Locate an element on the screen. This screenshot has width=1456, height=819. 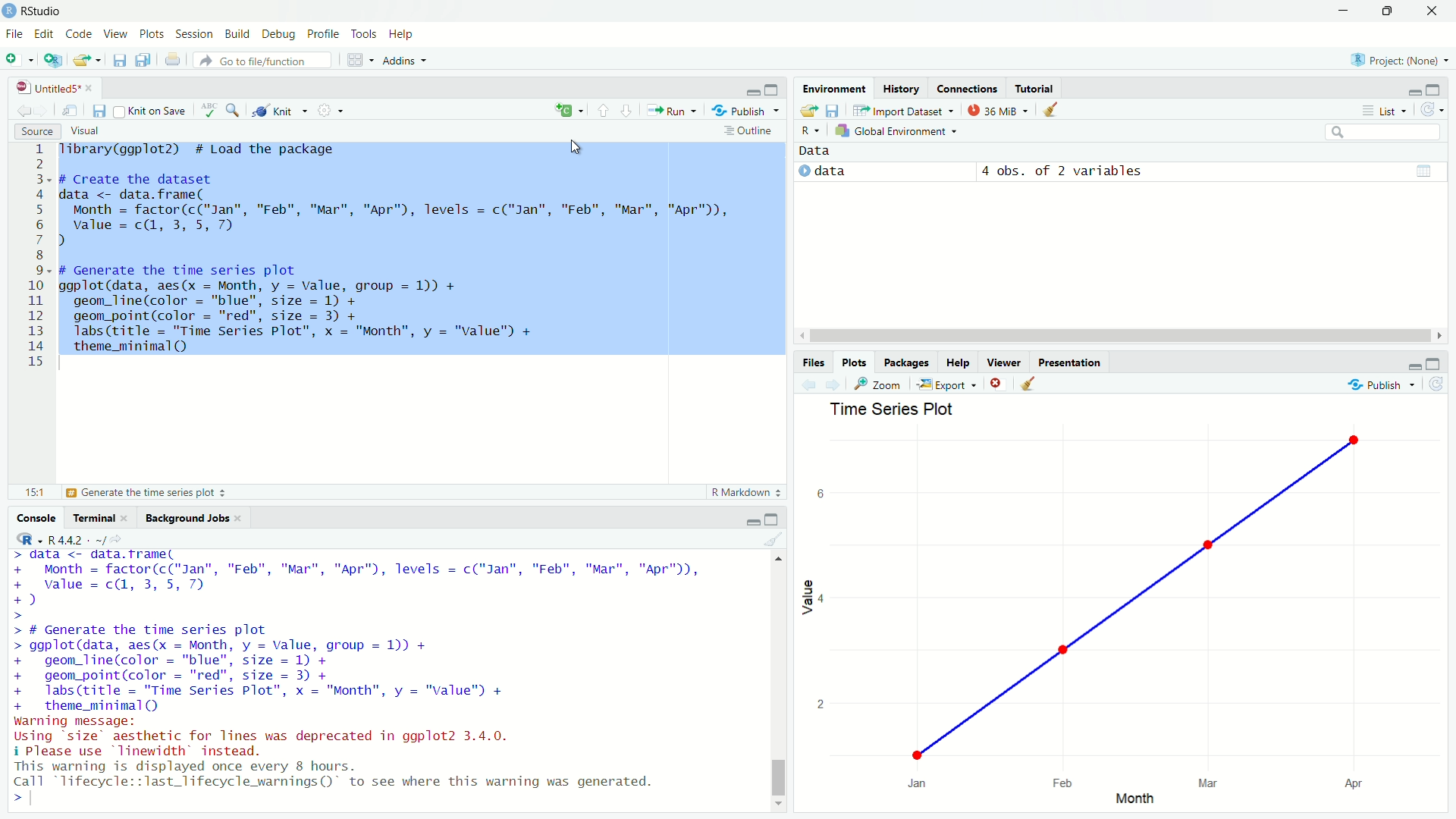
go to previous section/chunk is located at coordinates (601, 111).